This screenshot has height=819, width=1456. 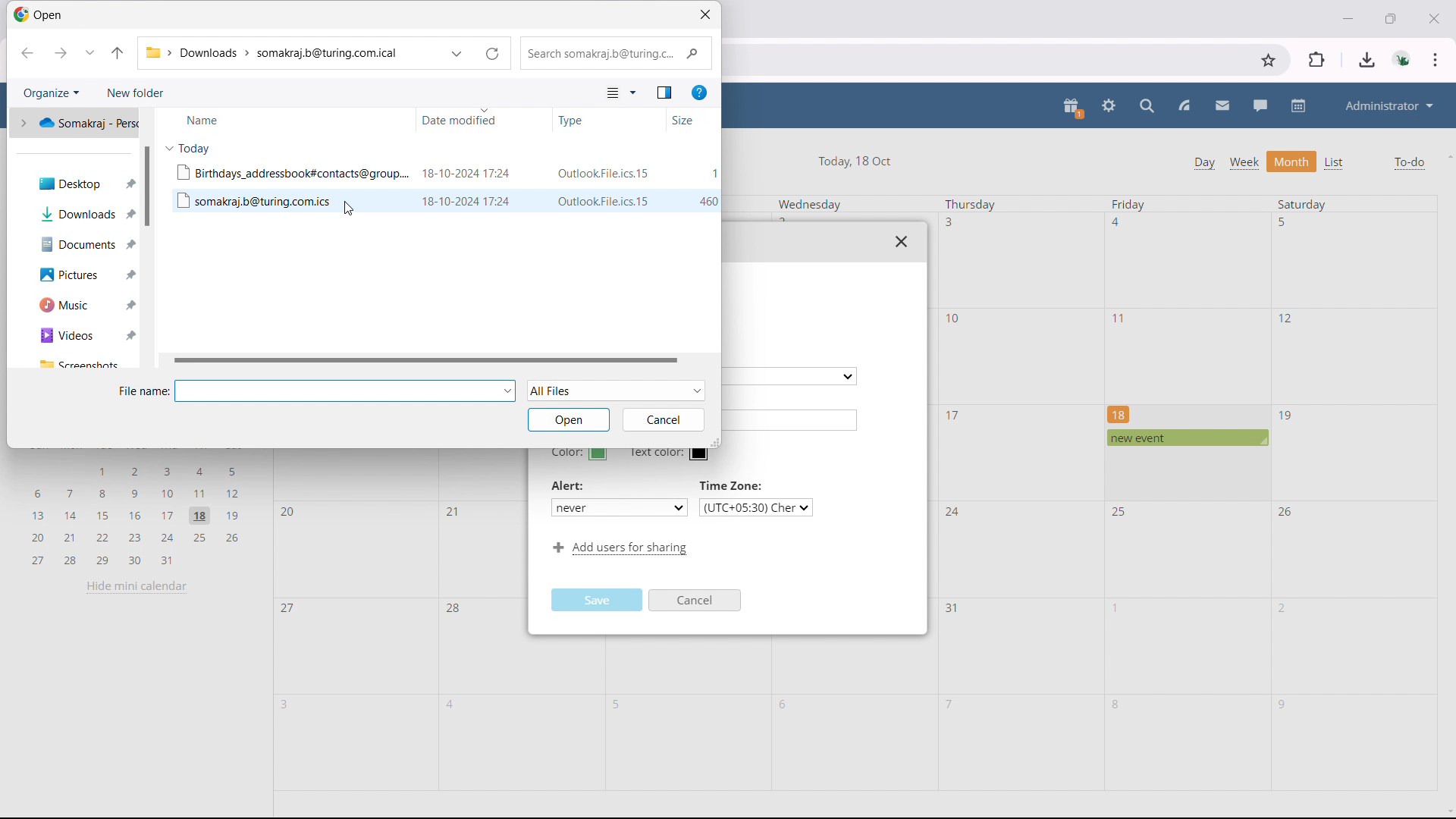 I want to click on Time Zone:, so click(x=733, y=485).